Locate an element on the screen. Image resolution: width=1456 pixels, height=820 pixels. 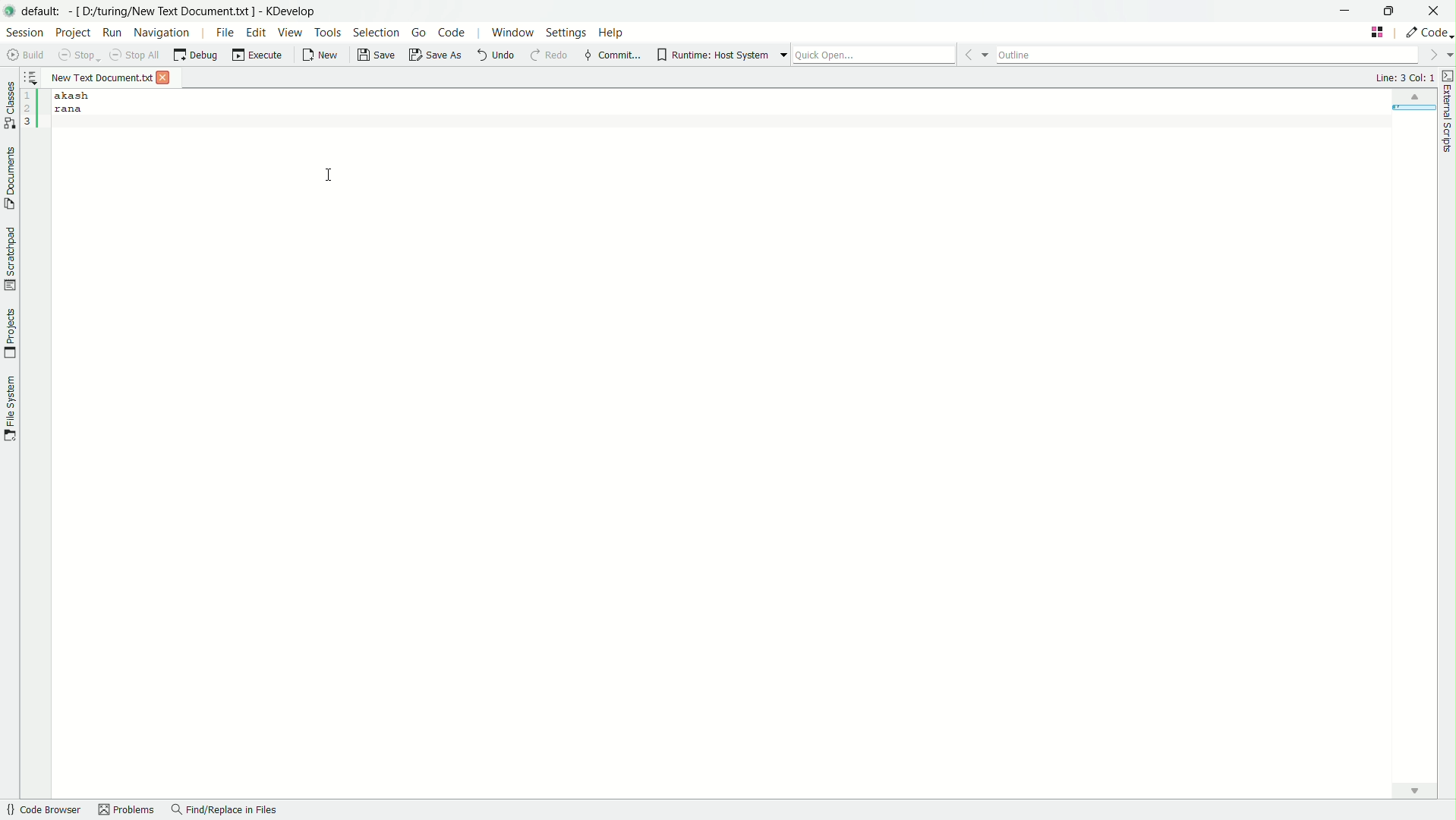
code menu is located at coordinates (452, 33).